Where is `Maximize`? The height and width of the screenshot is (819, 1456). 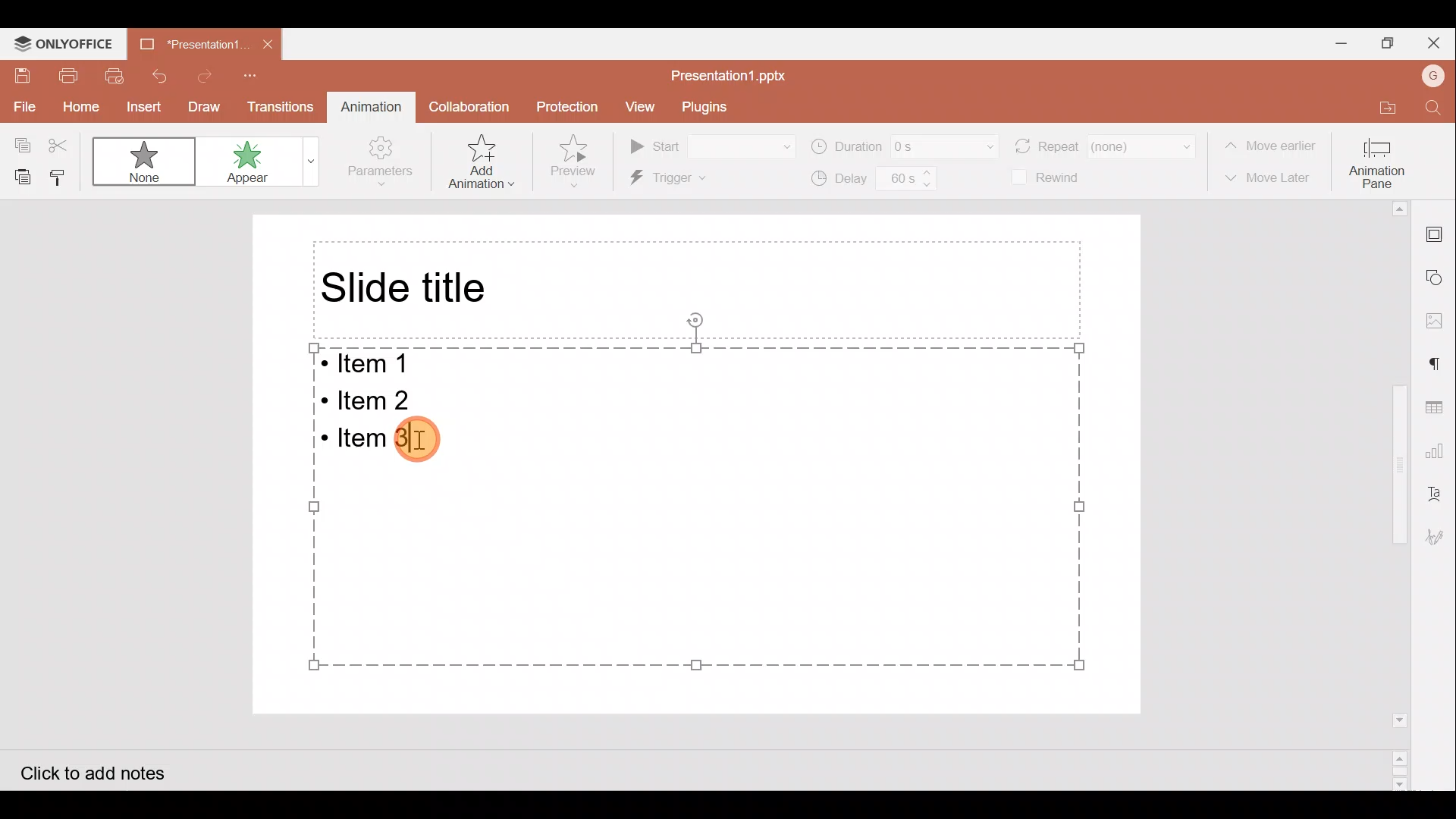
Maximize is located at coordinates (1389, 44).